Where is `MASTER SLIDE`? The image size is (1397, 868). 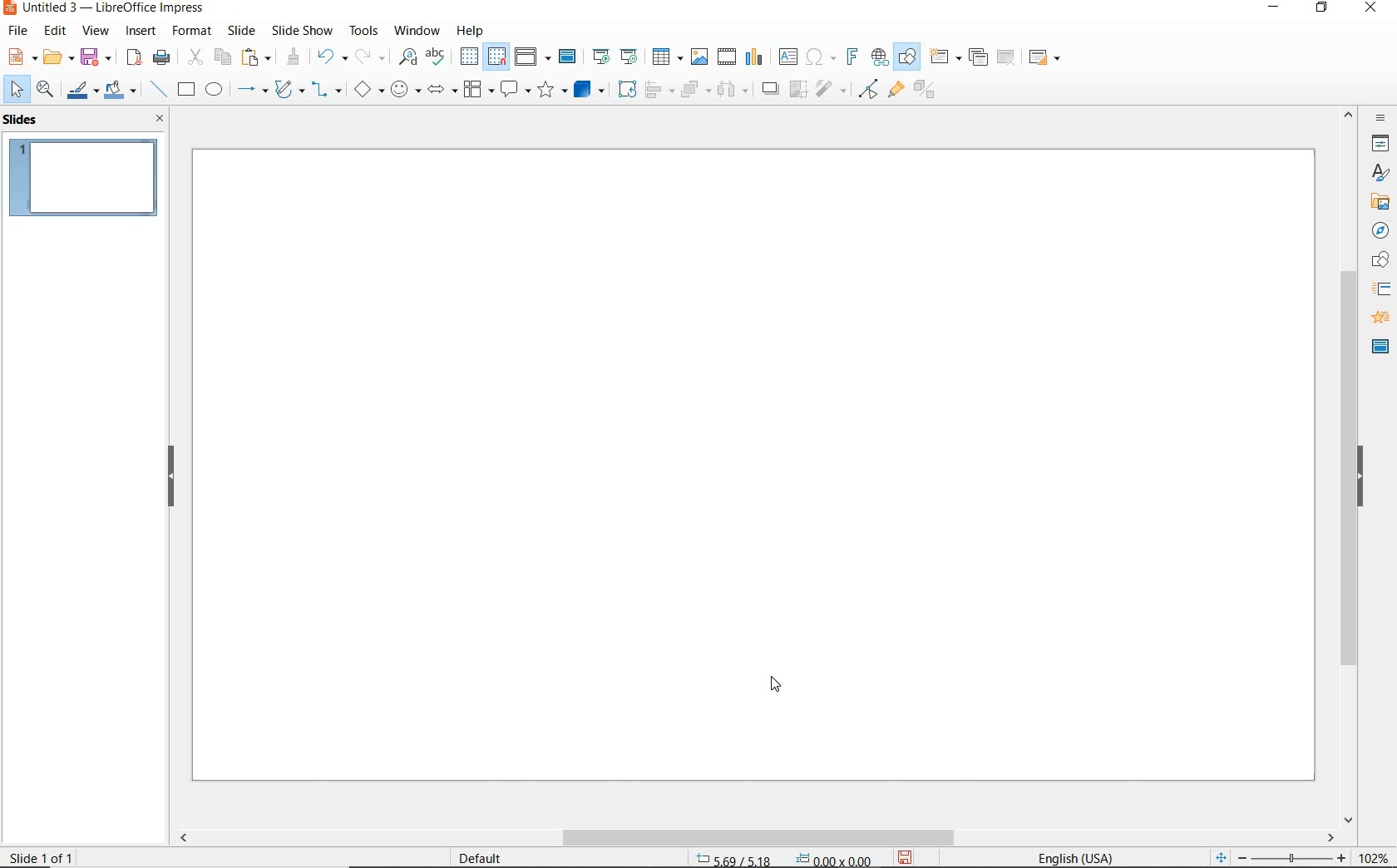
MASTER SLIDE is located at coordinates (569, 57).